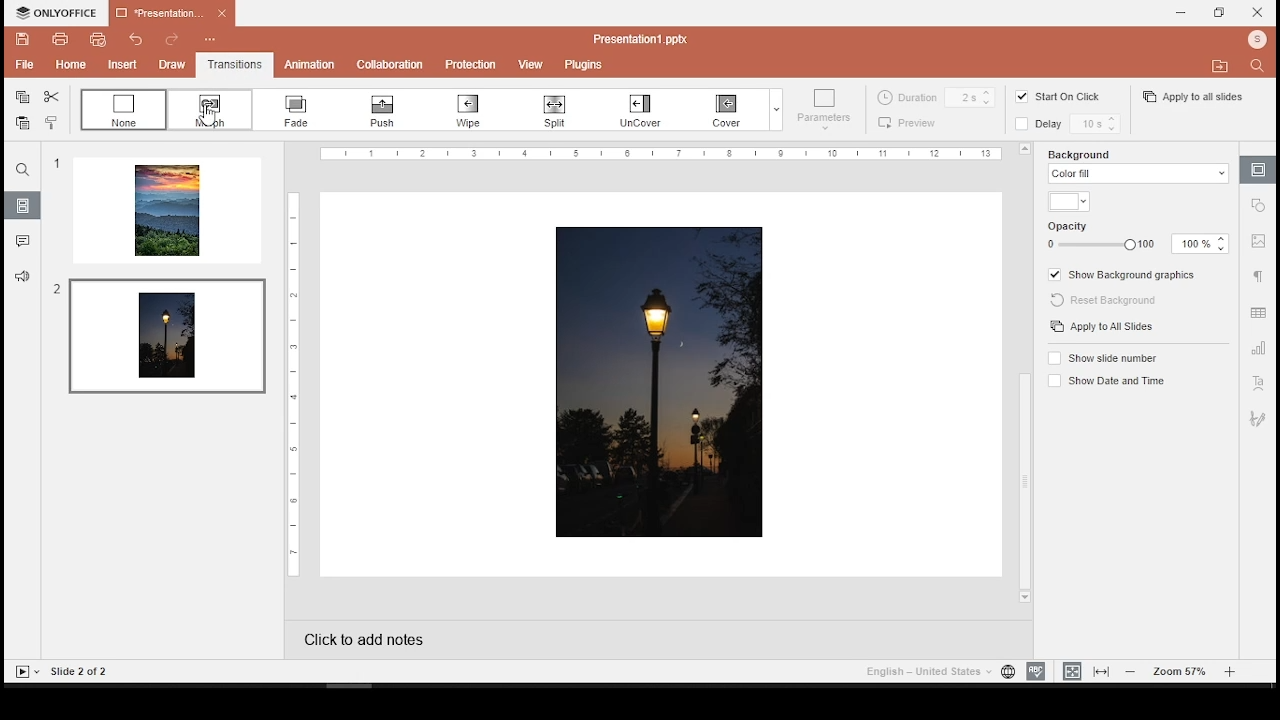  Describe the element at coordinates (1138, 166) in the screenshot. I see `background fill` at that location.